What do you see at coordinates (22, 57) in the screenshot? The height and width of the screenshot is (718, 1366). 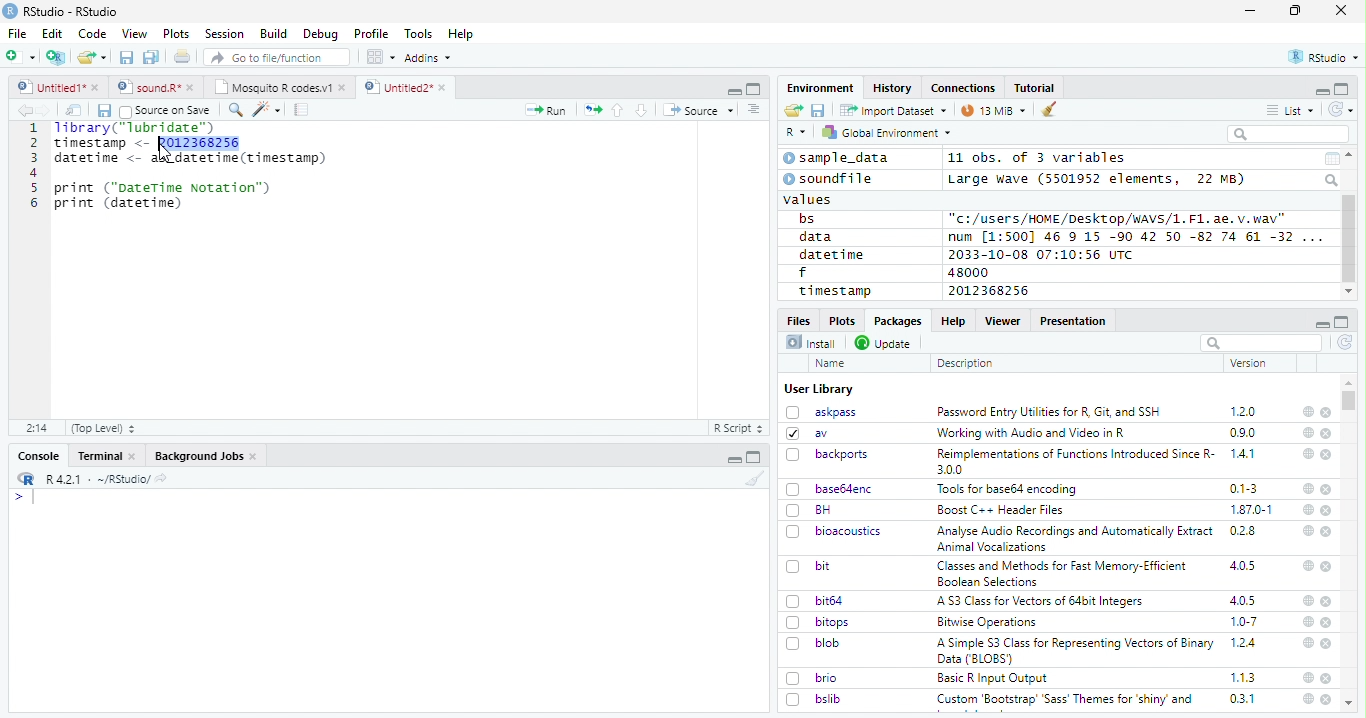 I see `New file` at bounding box center [22, 57].